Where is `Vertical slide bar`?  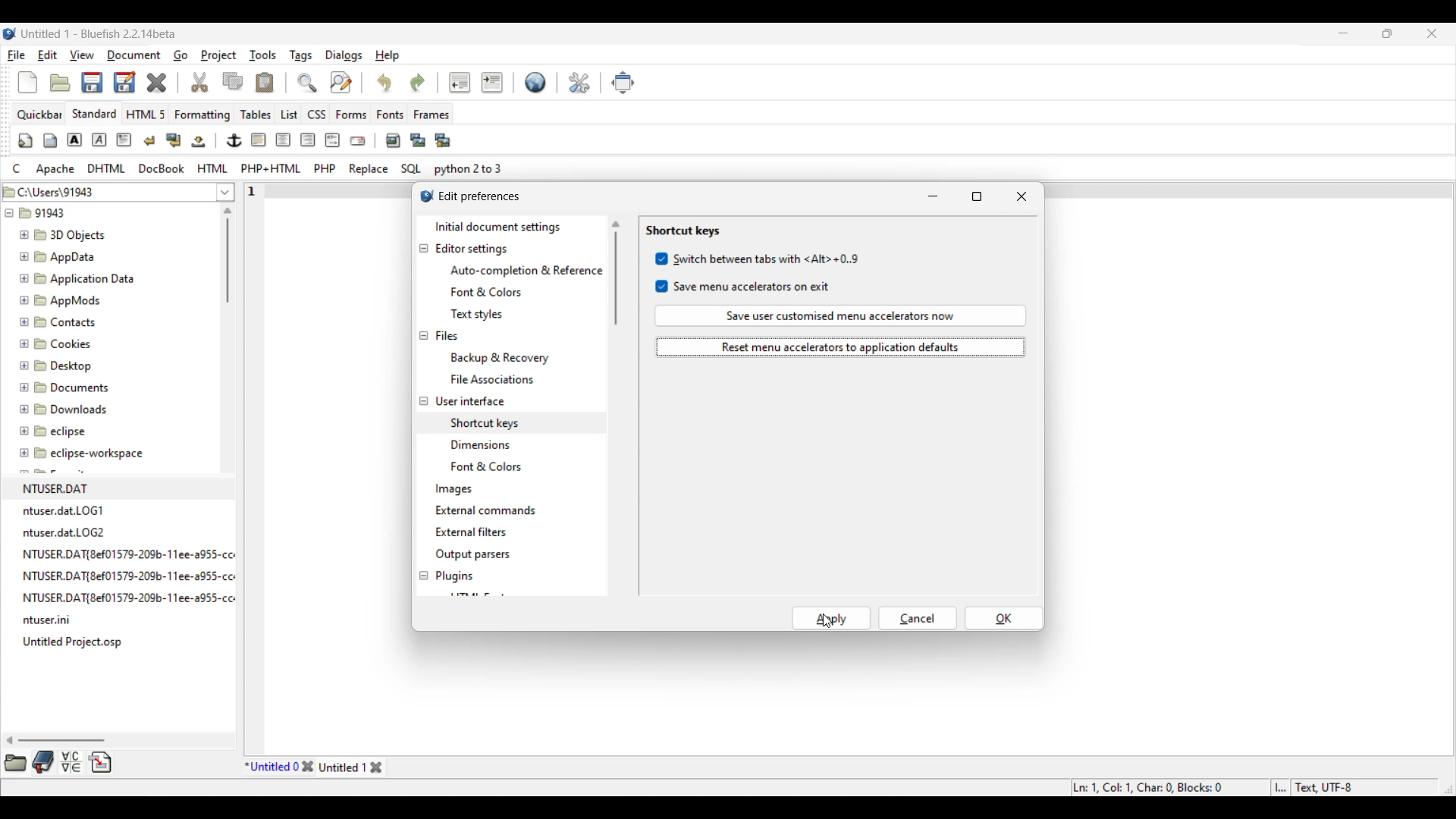
Vertical slide bar is located at coordinates (227, 255).